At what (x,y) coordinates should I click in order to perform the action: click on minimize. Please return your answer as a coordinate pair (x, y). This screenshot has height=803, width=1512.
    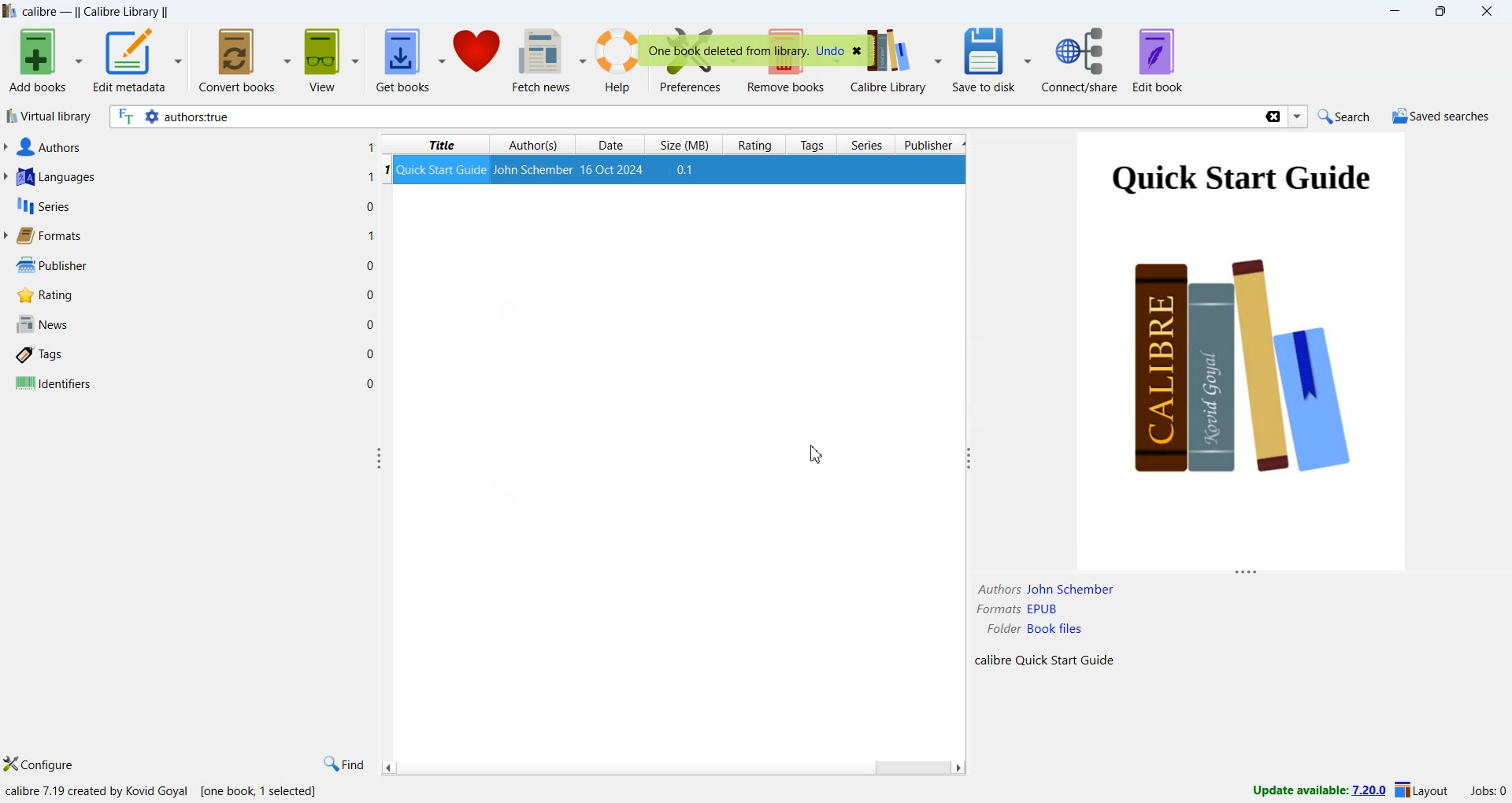
    Looking at the image, I should click on (1399, 13).